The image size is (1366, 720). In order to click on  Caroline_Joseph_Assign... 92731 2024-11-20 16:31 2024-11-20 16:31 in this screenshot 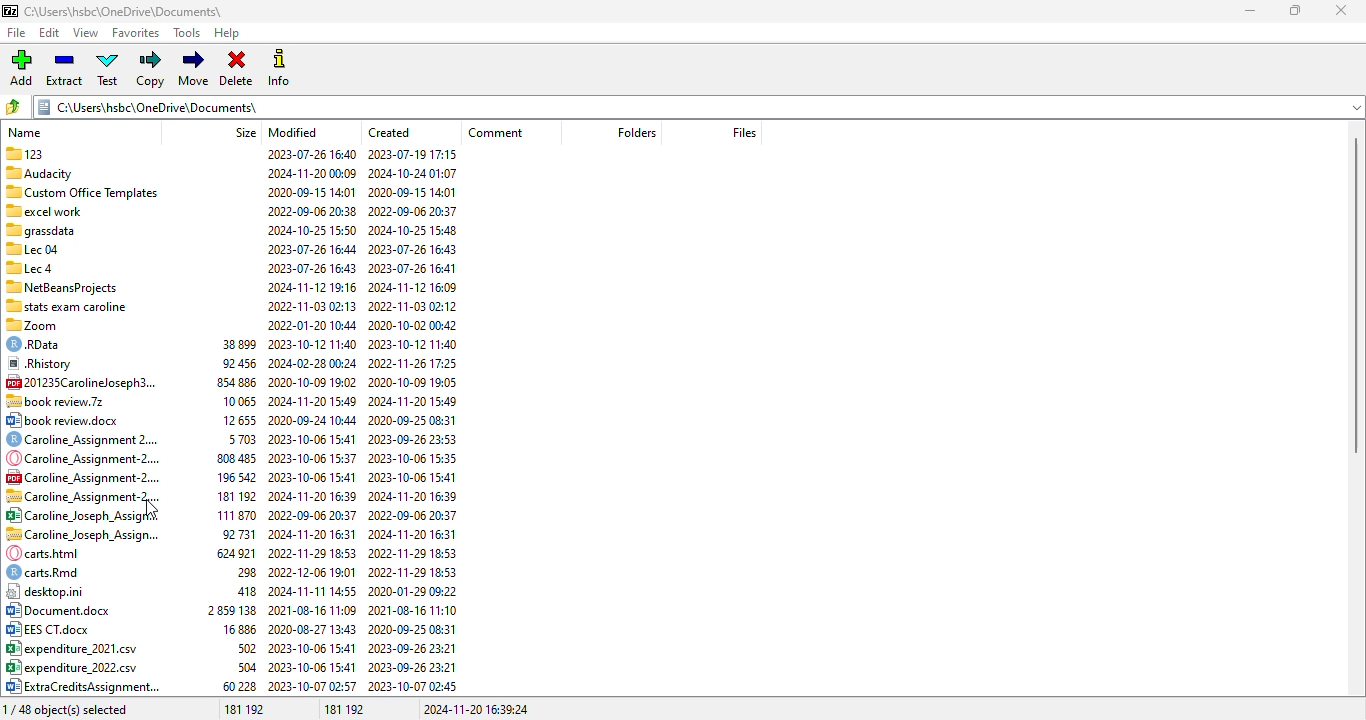, I will do `click(230, 535)`.